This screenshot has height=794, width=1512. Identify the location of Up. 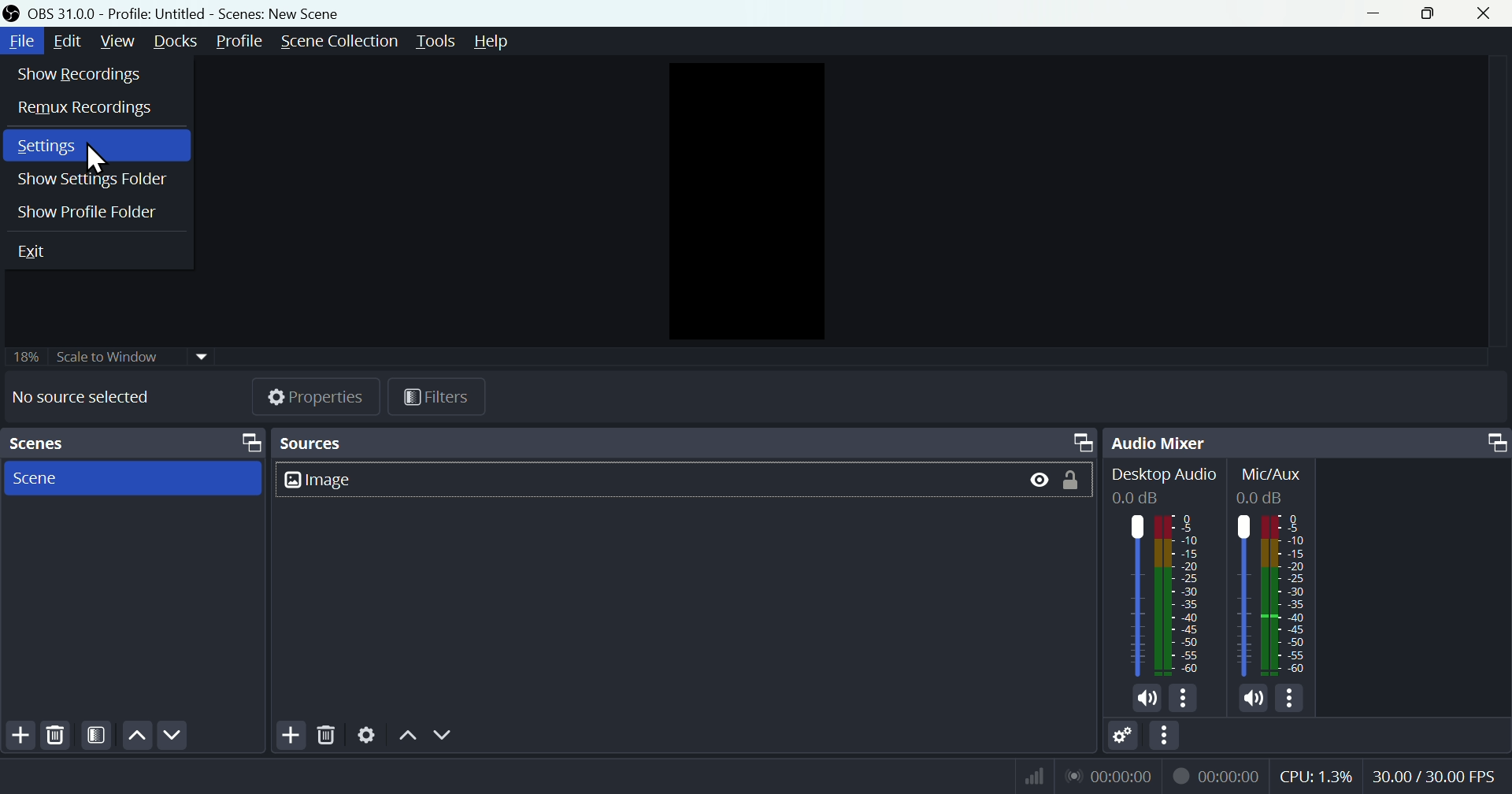
(409, 733).